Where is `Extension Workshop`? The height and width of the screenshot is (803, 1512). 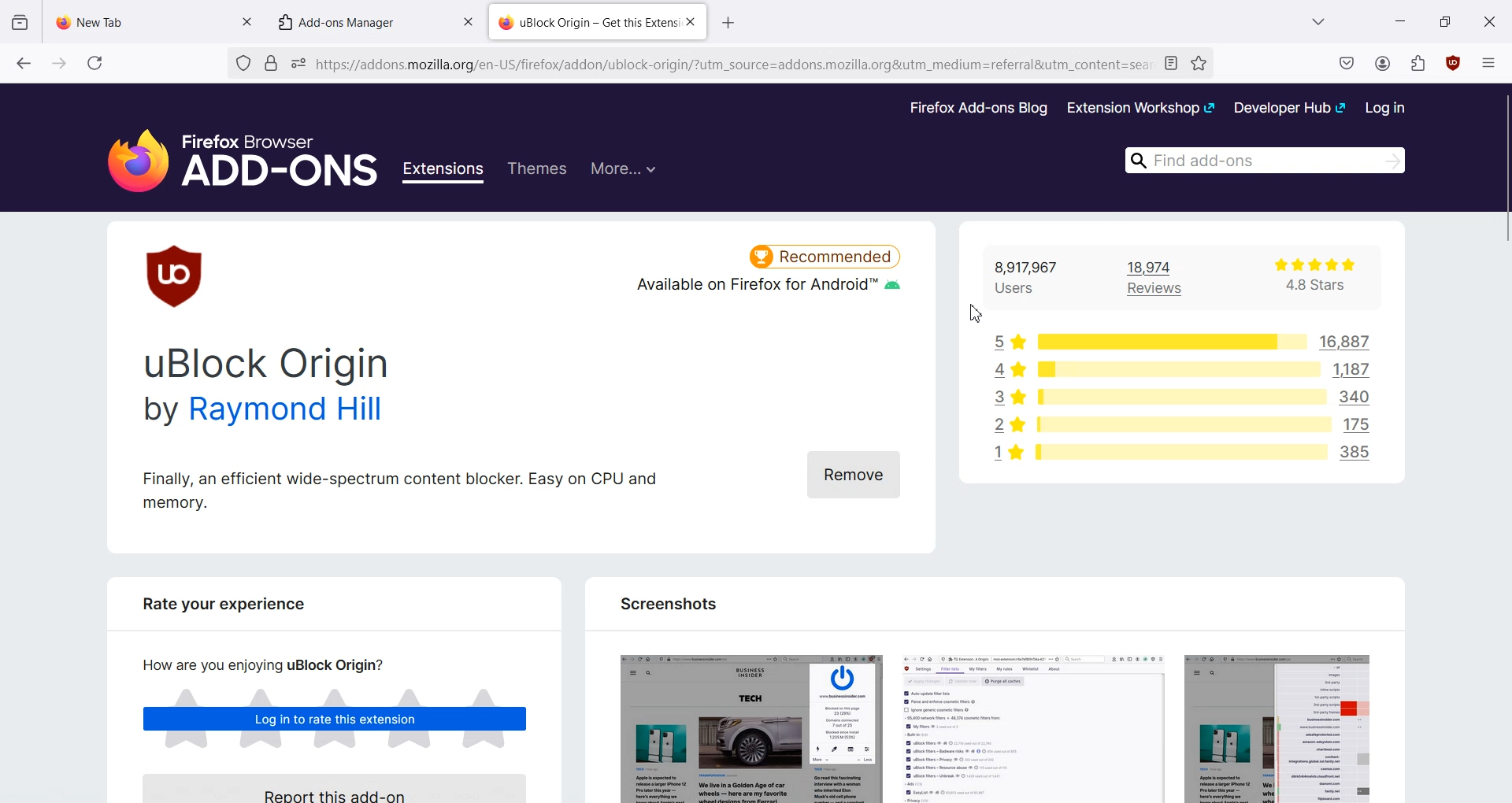
Extension Workshop is located at coordinates (1140, 108).